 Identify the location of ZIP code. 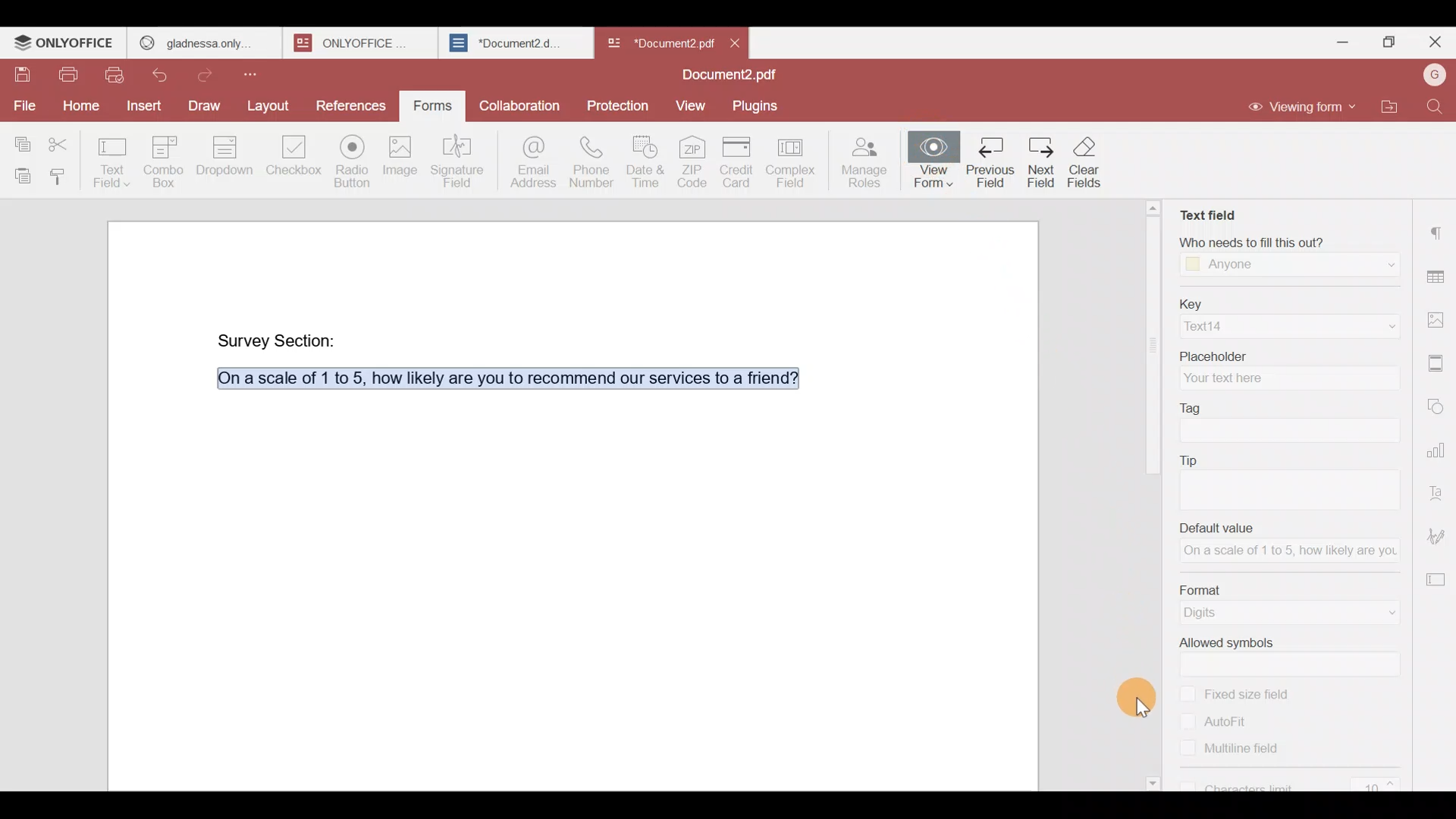
(695, 160).